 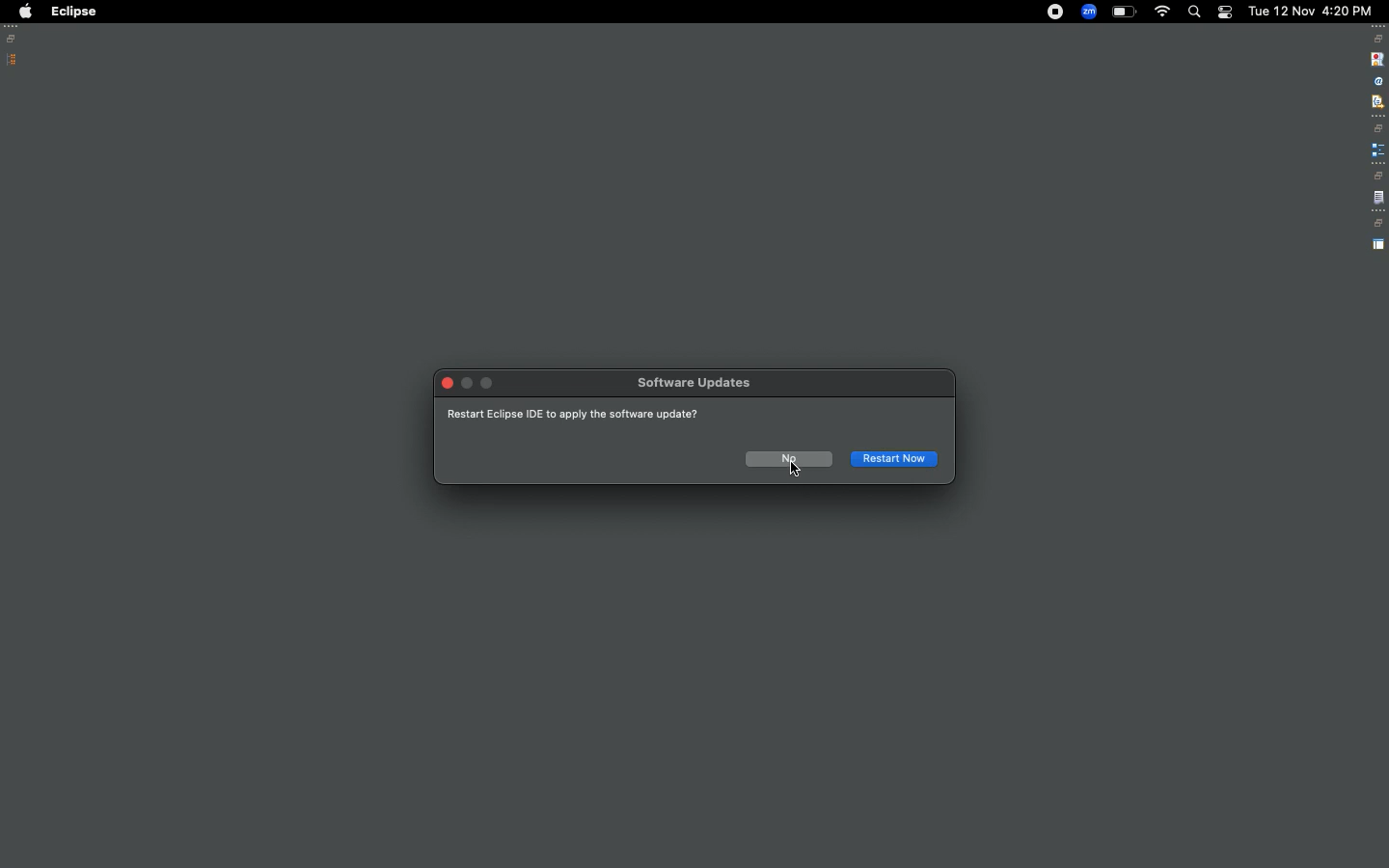 What do you see at coordinates (1377, 176) in the screenshot?
I see `restore` at bounding box center [1377, 176].